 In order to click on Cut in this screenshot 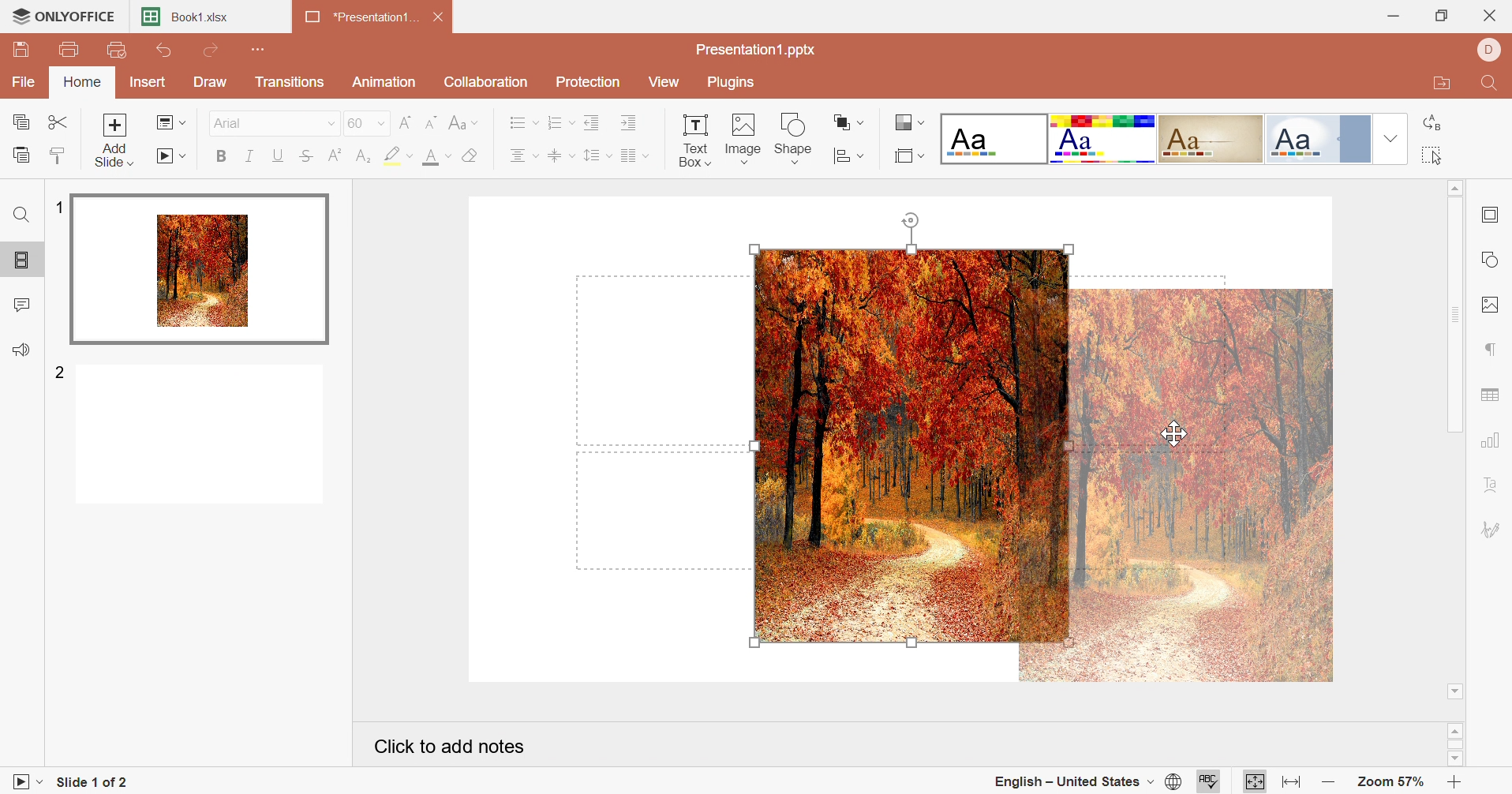, I will do `click(58, 122)`.